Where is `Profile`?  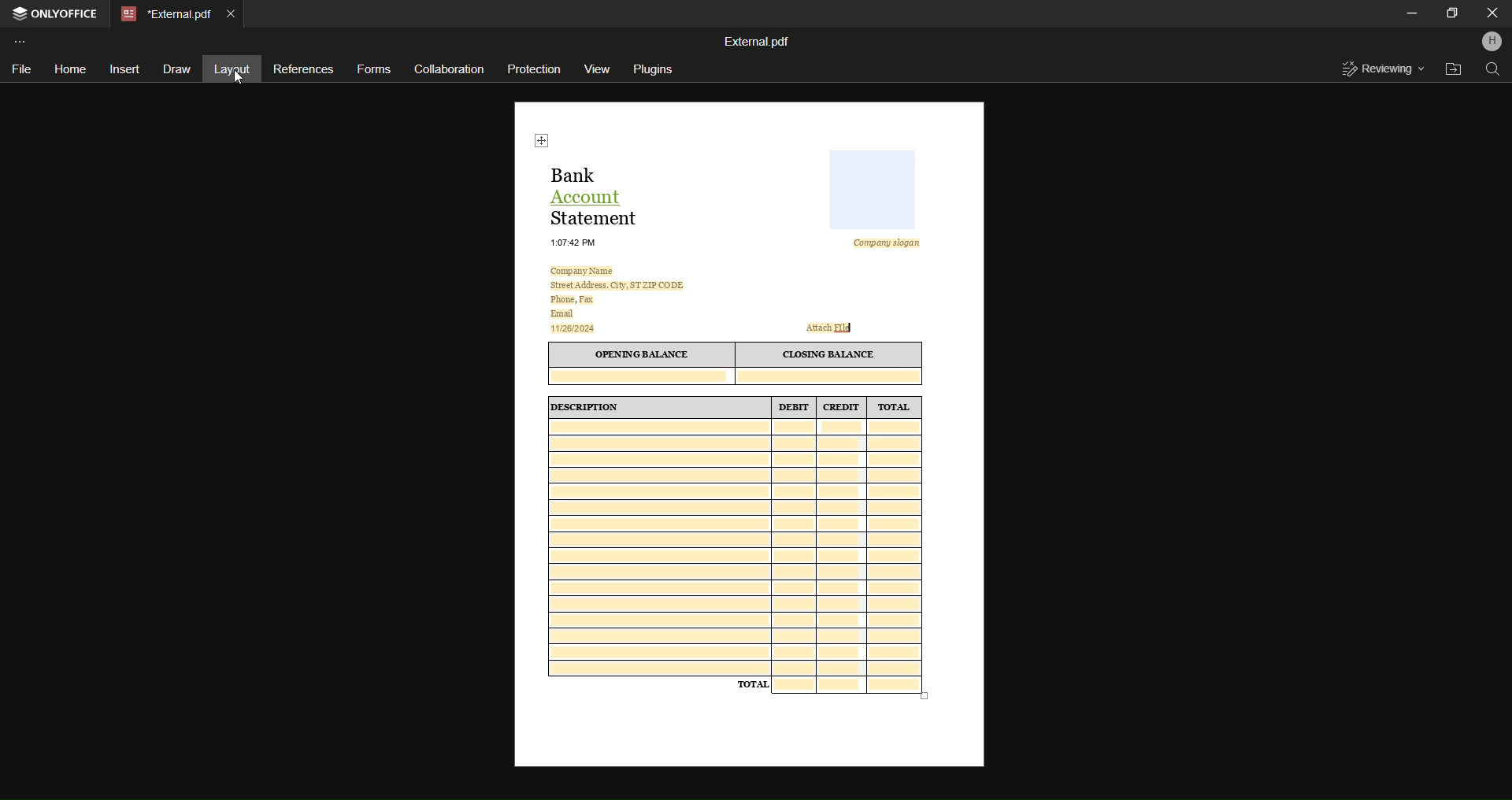 Profile is located at coordinates (1489, 43).